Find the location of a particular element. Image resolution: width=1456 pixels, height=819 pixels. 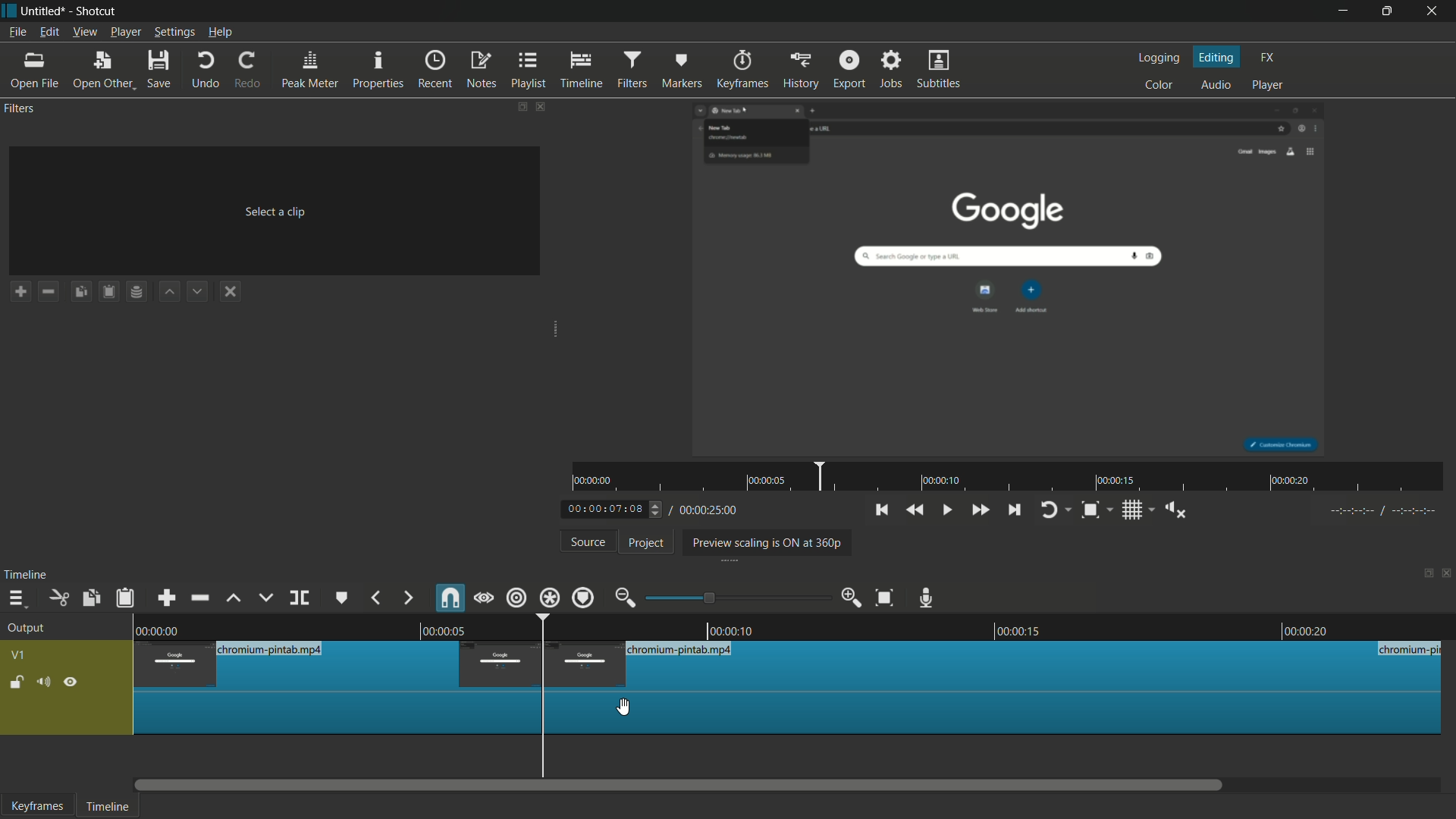

zoom in is located at coordinates (852, 596).